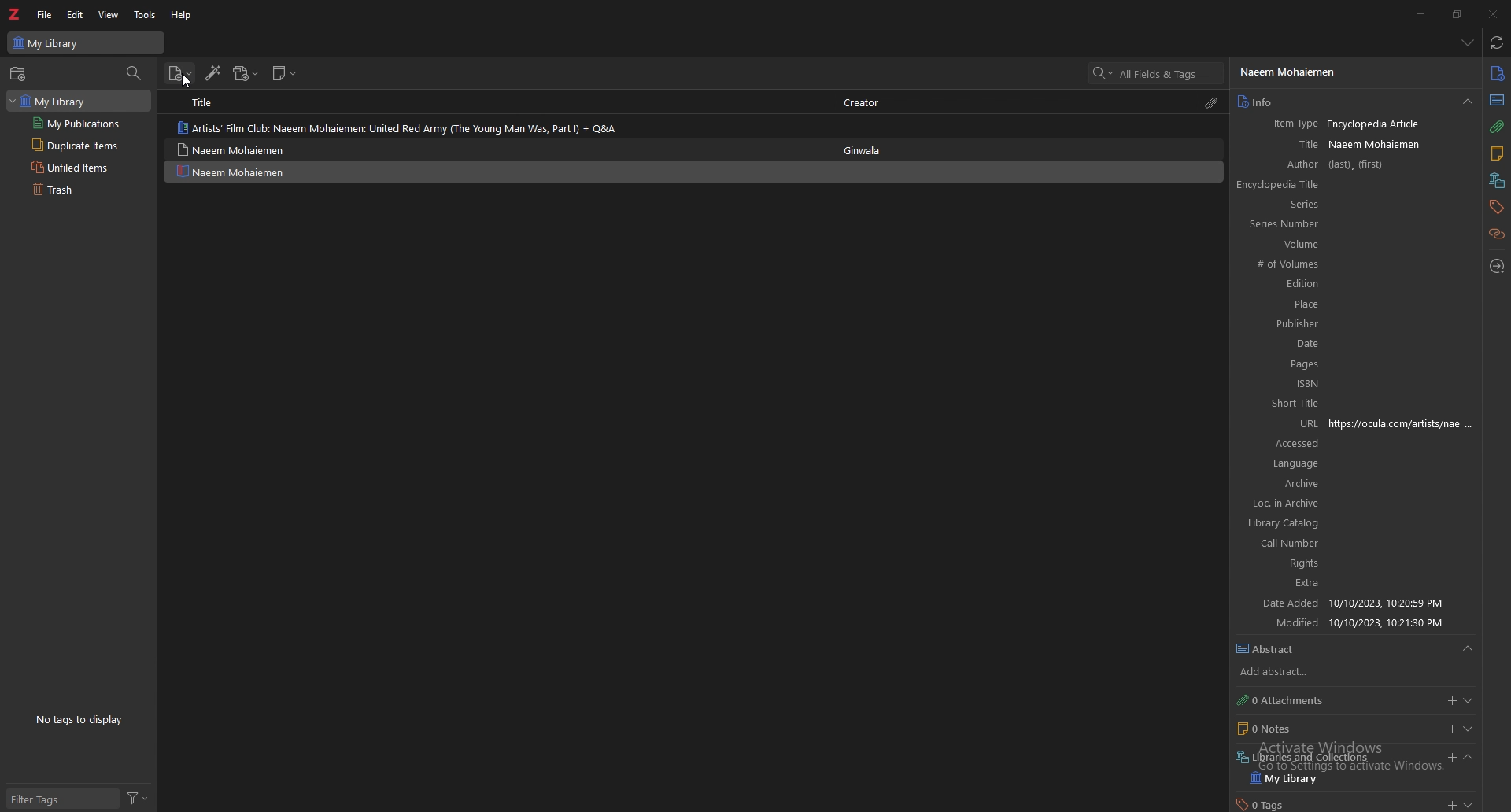 The width and height of the screenshot is (1511, 812). I want to click on modified, so click(1278, 623).